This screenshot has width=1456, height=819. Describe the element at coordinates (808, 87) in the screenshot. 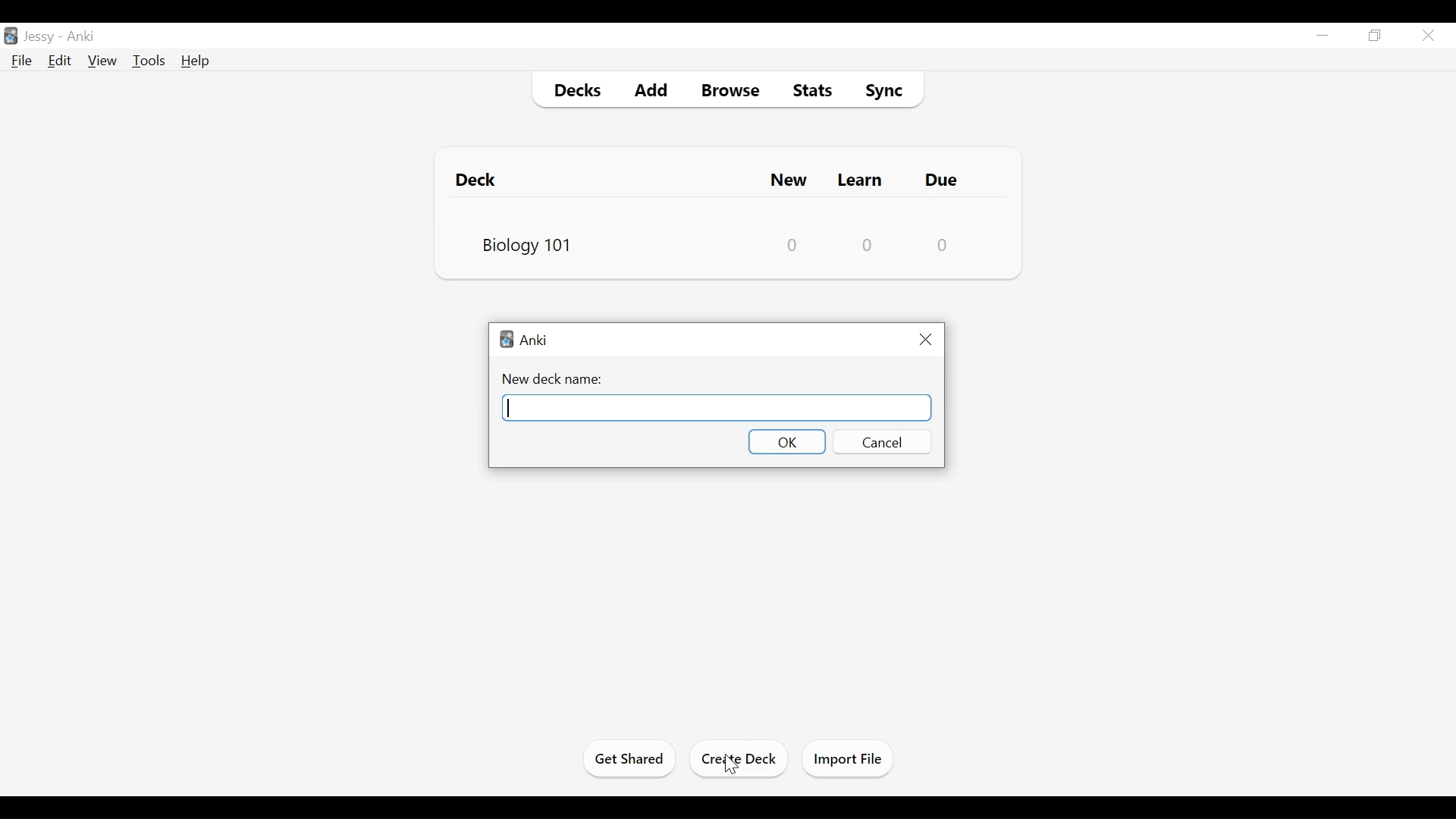

I see `Stats` at that location.